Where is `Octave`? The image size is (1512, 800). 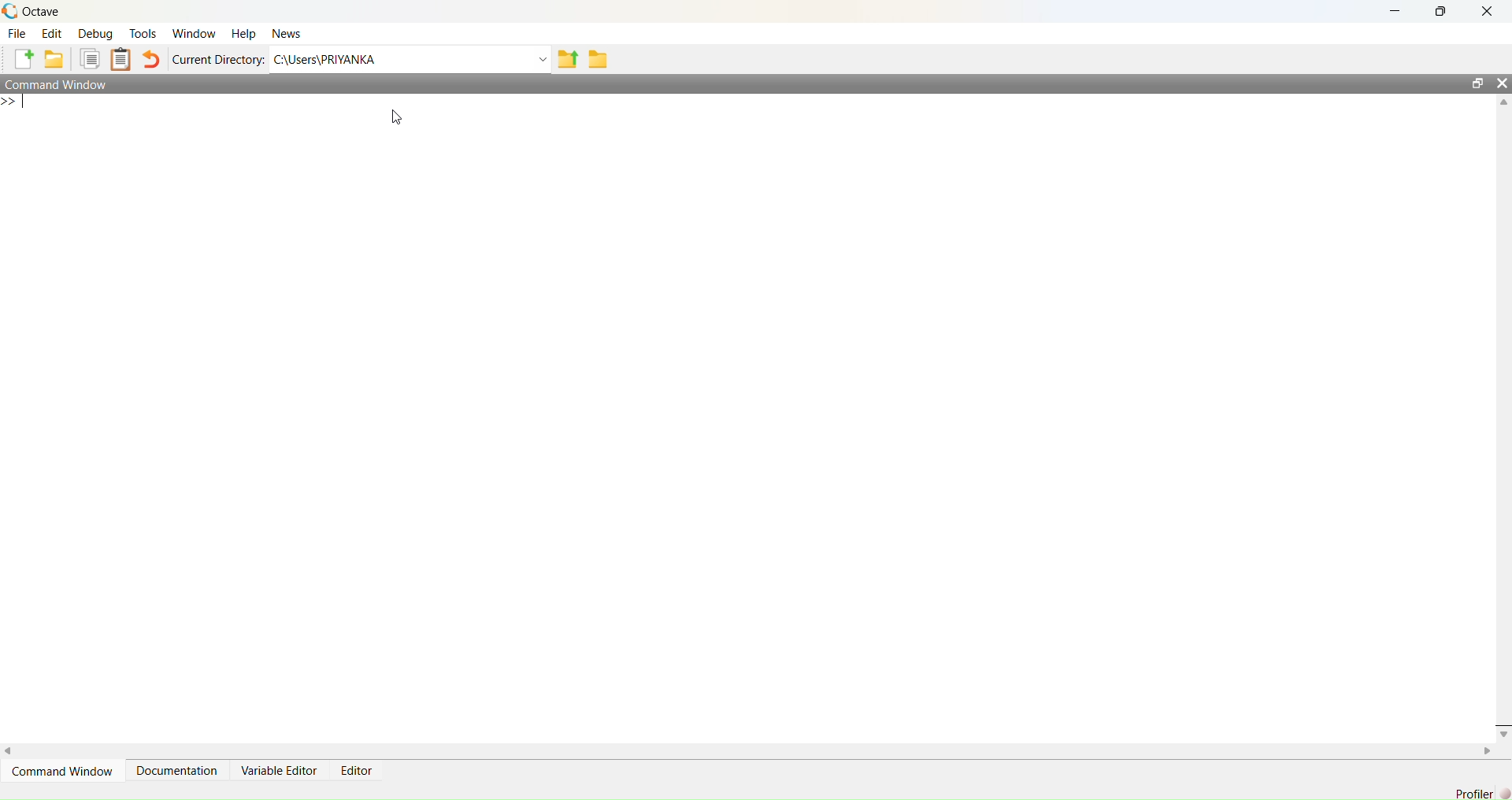
Octave is located at coordinates (38, 11).